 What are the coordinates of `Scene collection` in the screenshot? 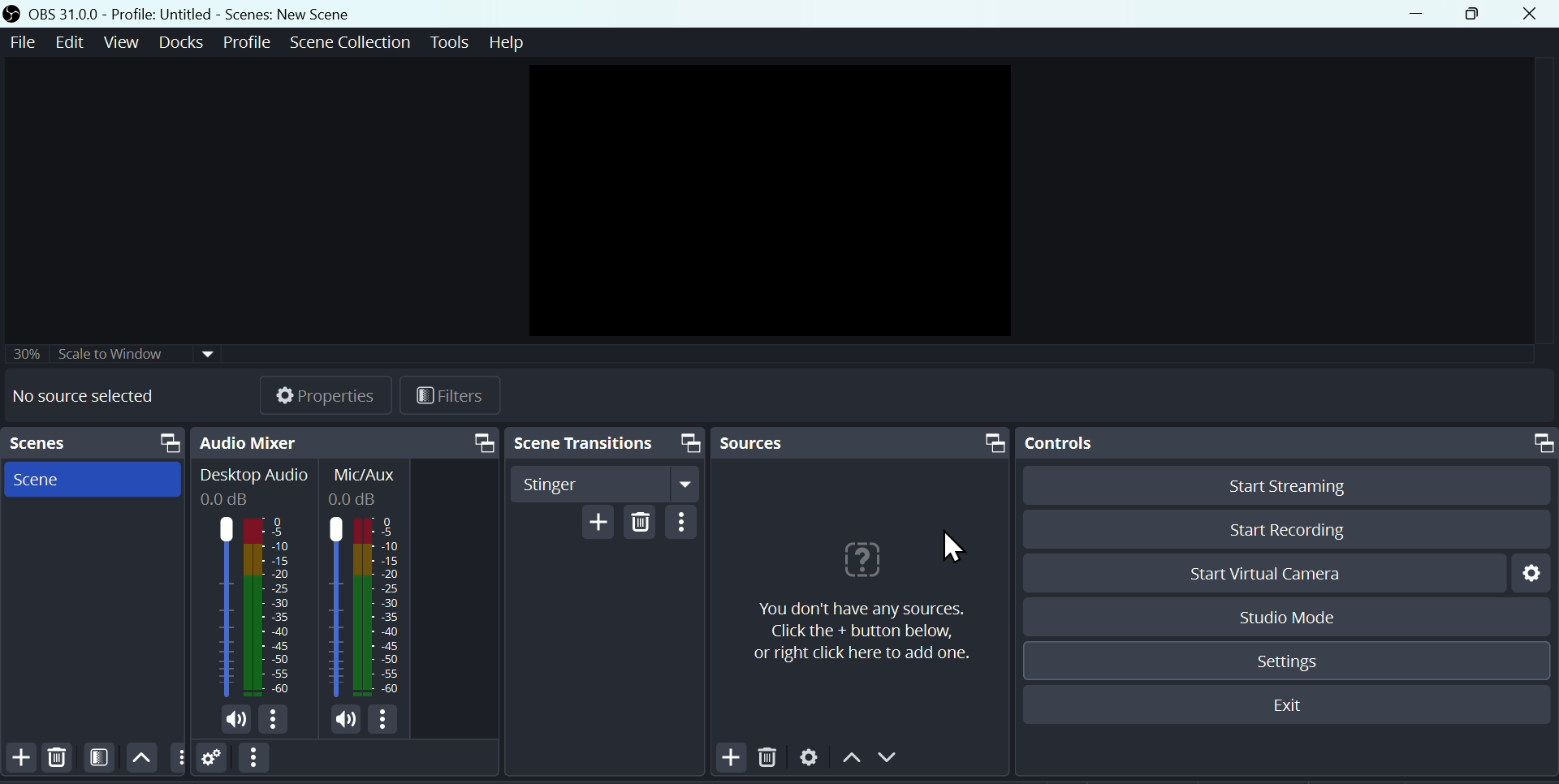 It's located at (351, 45).